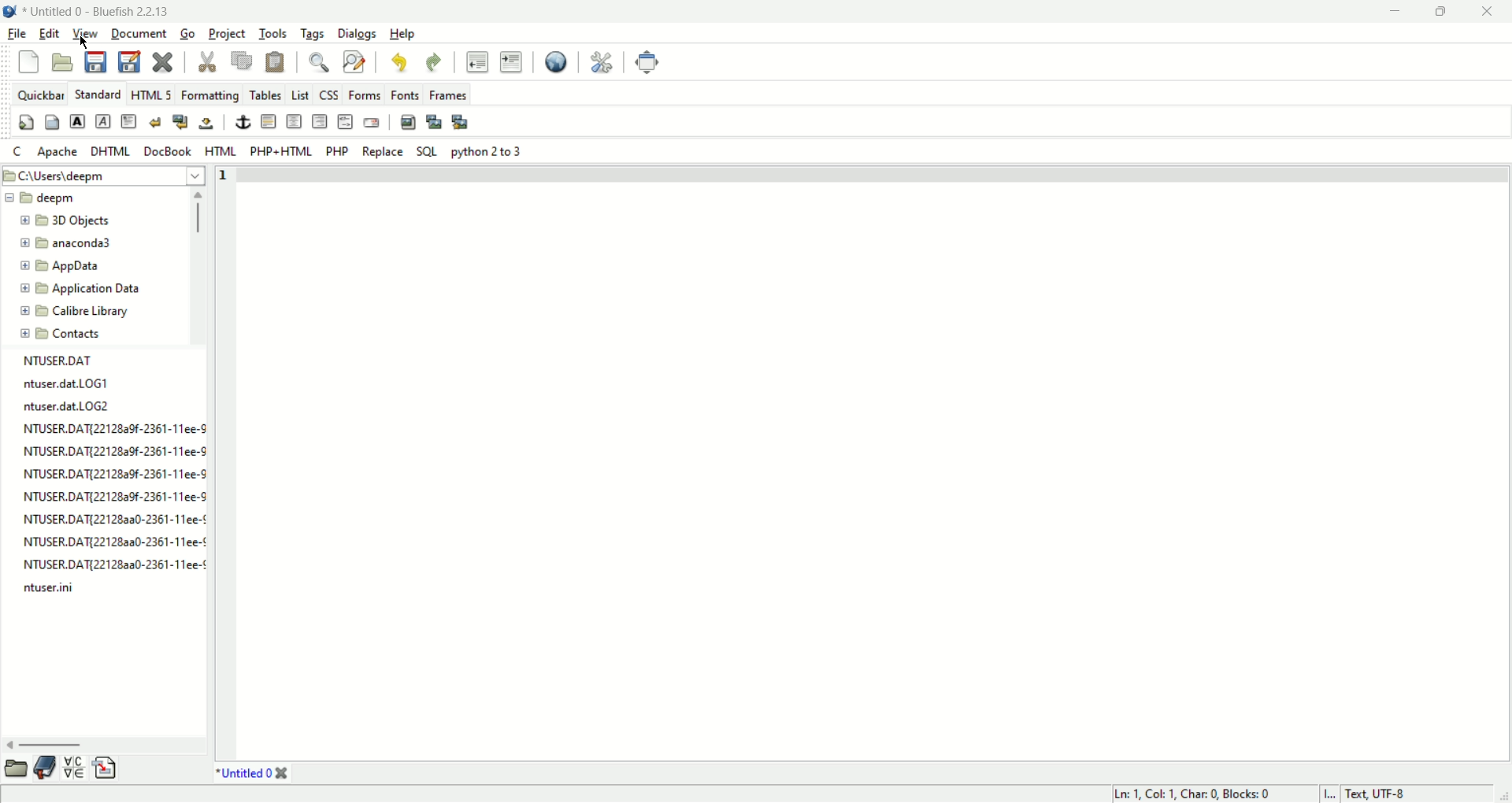 Image resolution: width=1512 pixels, height=803 pixels. What do you see at coordinates (48, 744) in the screenshot?
I see `horizontal scroll bar` at bounding box center [48, 744].